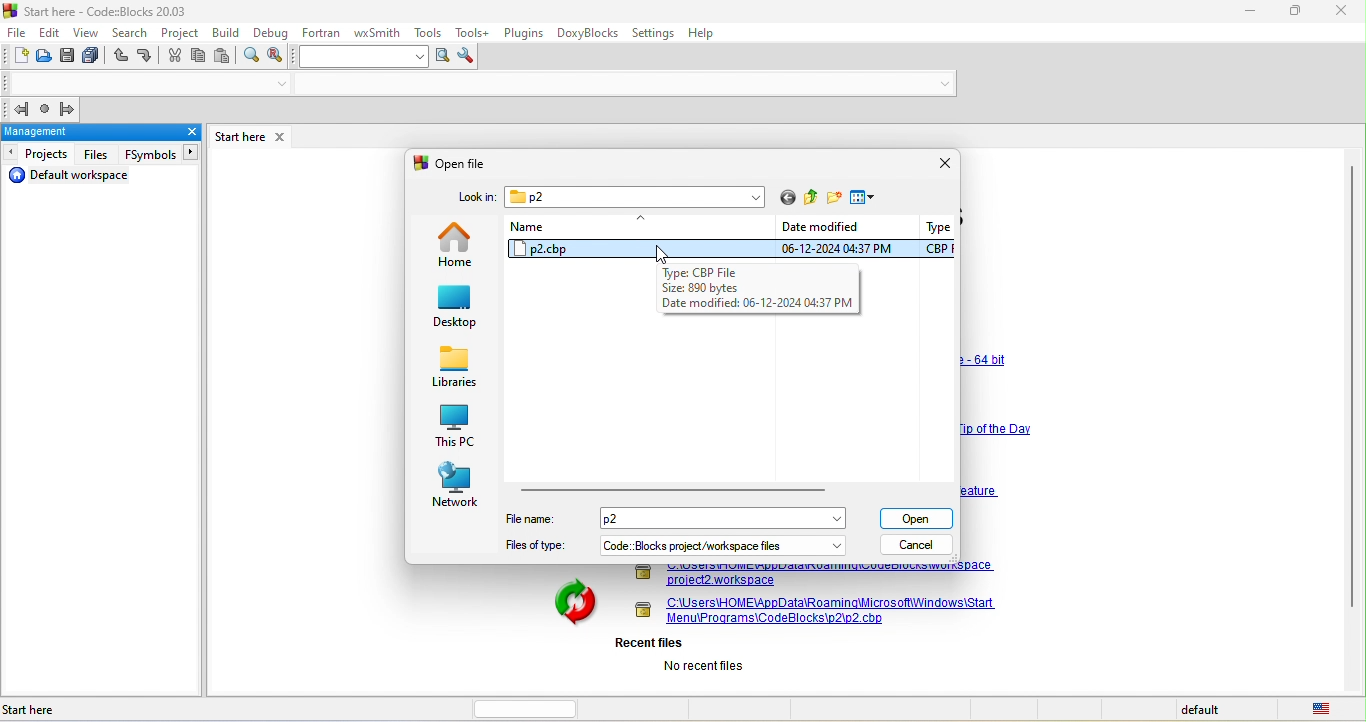 The width and height of the screenshot is (1366, 722). Describe the element at coordinates (994, 433) in the screenshot. I see `link` at that location.